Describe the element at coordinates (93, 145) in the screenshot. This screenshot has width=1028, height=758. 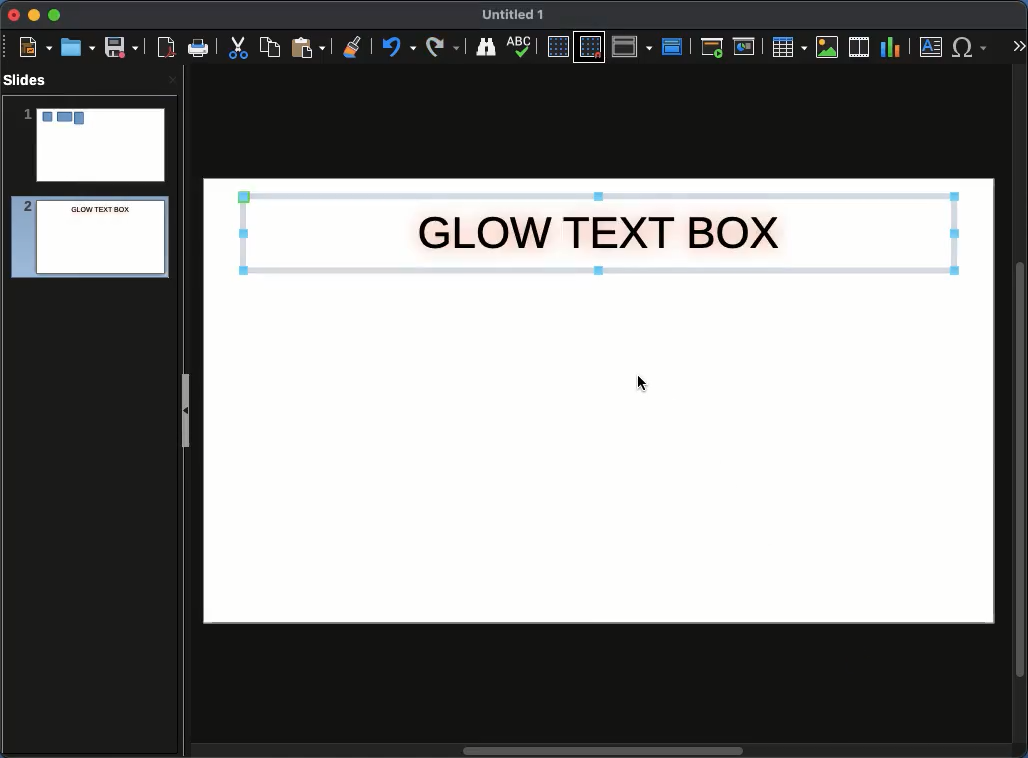
I see `Slide 1` at that location.